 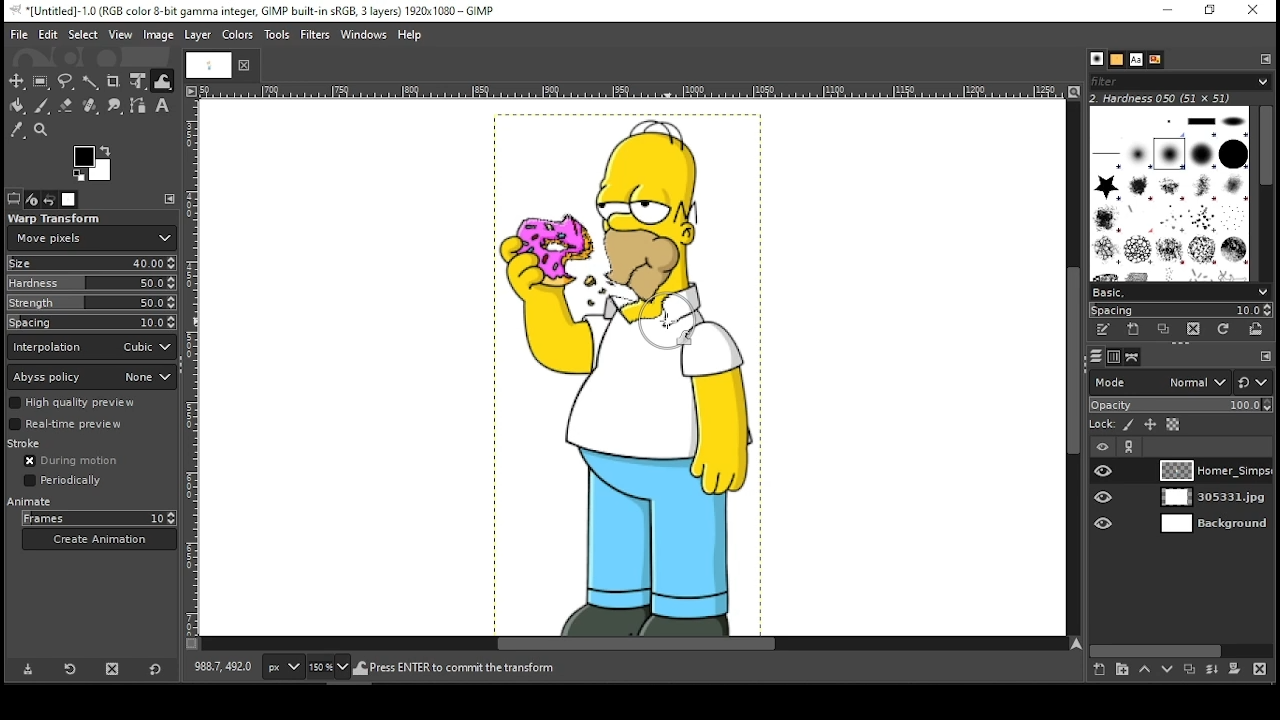 I want to click on interpolation, so click(x=93, y=346).